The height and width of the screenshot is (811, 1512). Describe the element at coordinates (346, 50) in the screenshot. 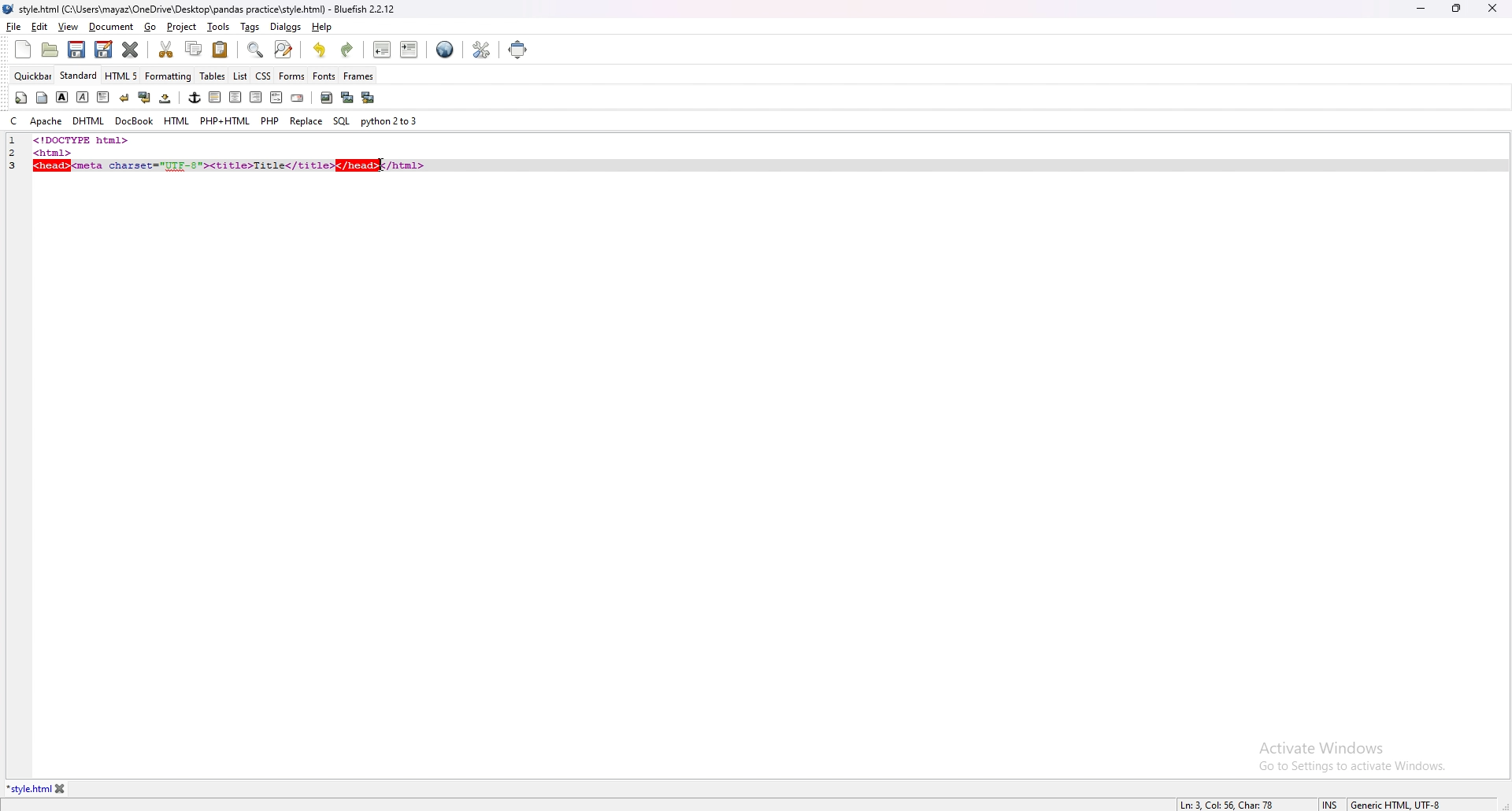

I see `redo` at that location.